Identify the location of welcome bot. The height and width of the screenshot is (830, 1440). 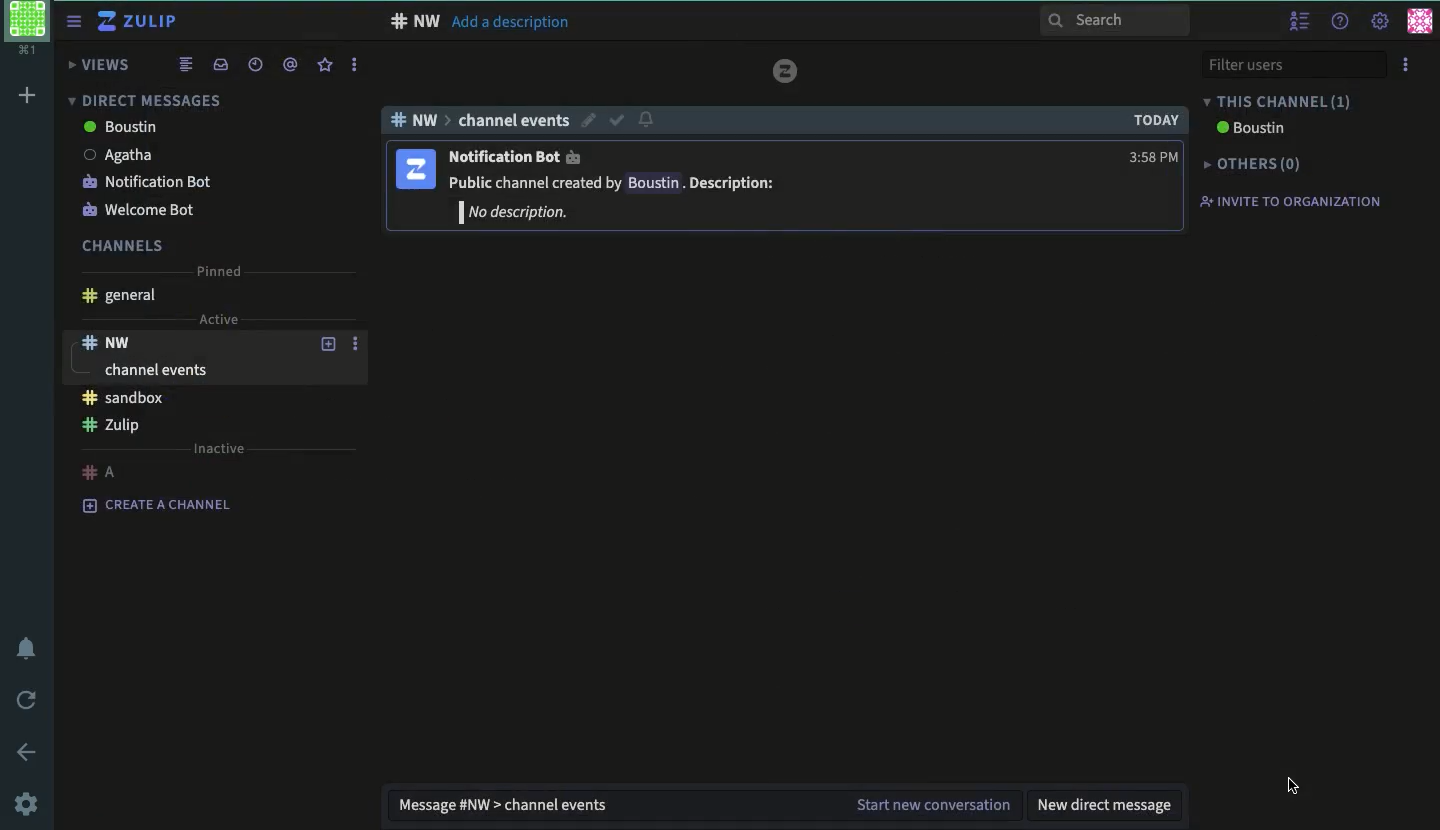
(140, 208).